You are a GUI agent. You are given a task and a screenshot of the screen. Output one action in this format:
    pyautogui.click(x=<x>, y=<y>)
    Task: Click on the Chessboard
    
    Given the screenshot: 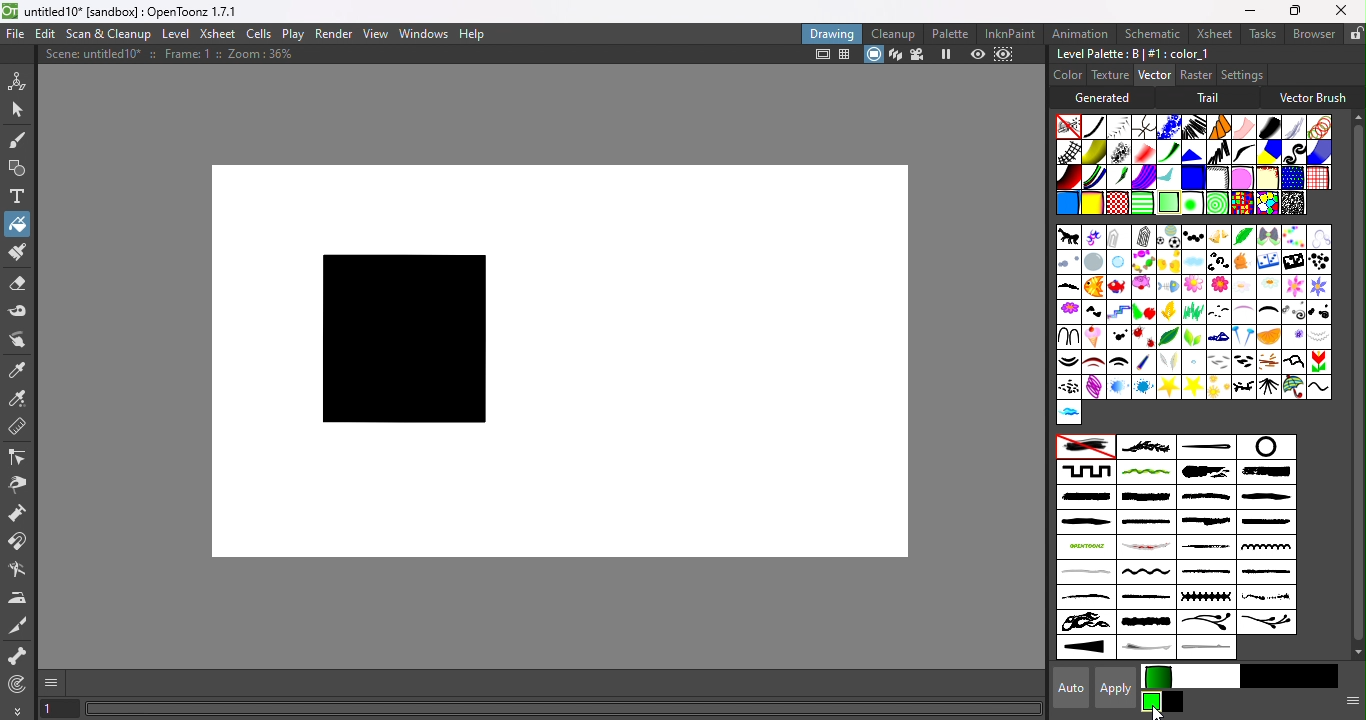 What is the action you would take?
    pyautogui.click(x=1118, y=203)
    